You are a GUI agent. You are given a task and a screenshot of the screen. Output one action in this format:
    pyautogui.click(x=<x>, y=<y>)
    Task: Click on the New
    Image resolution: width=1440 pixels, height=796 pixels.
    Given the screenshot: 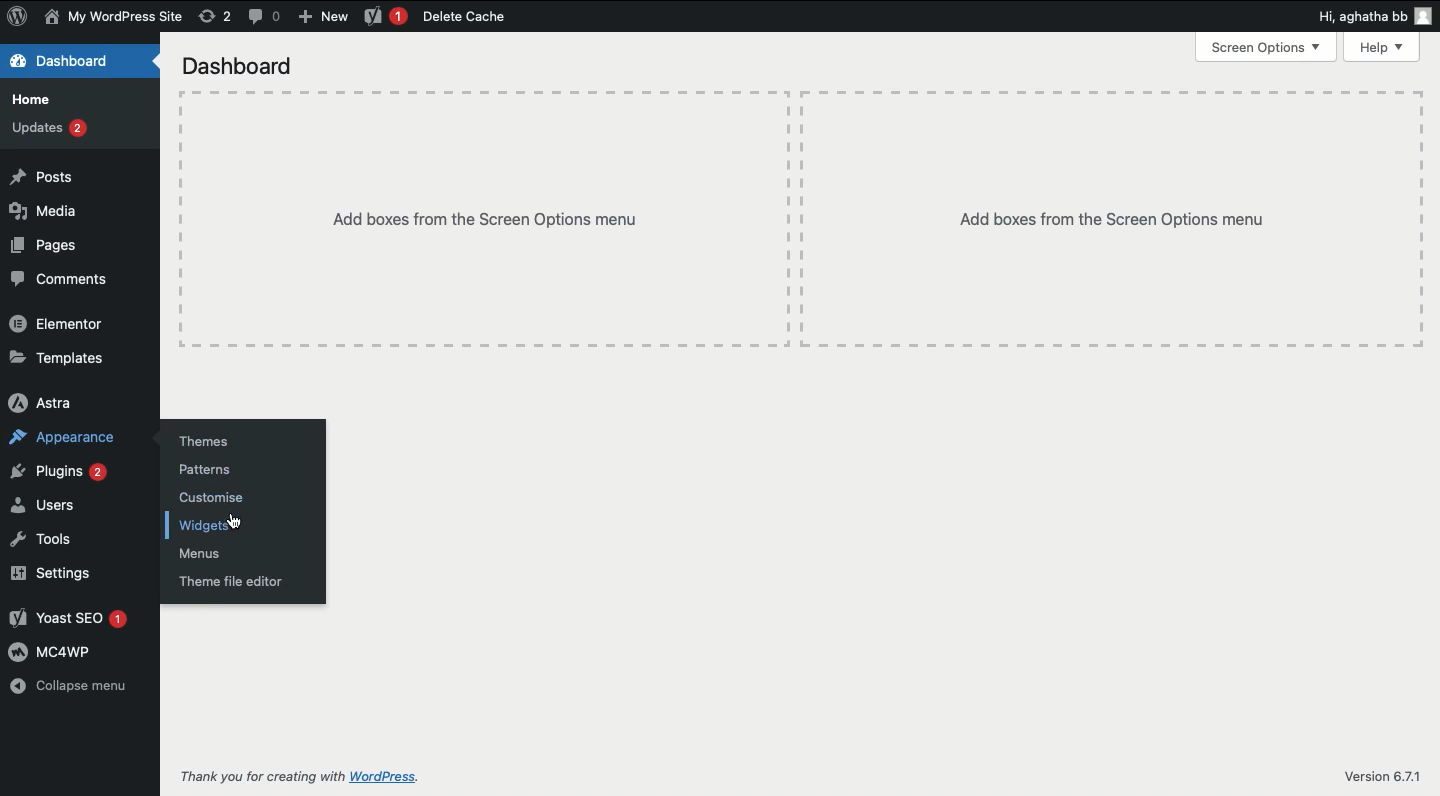 What is the action you would take?
    pyautogui.click(x=329, y=17)
    